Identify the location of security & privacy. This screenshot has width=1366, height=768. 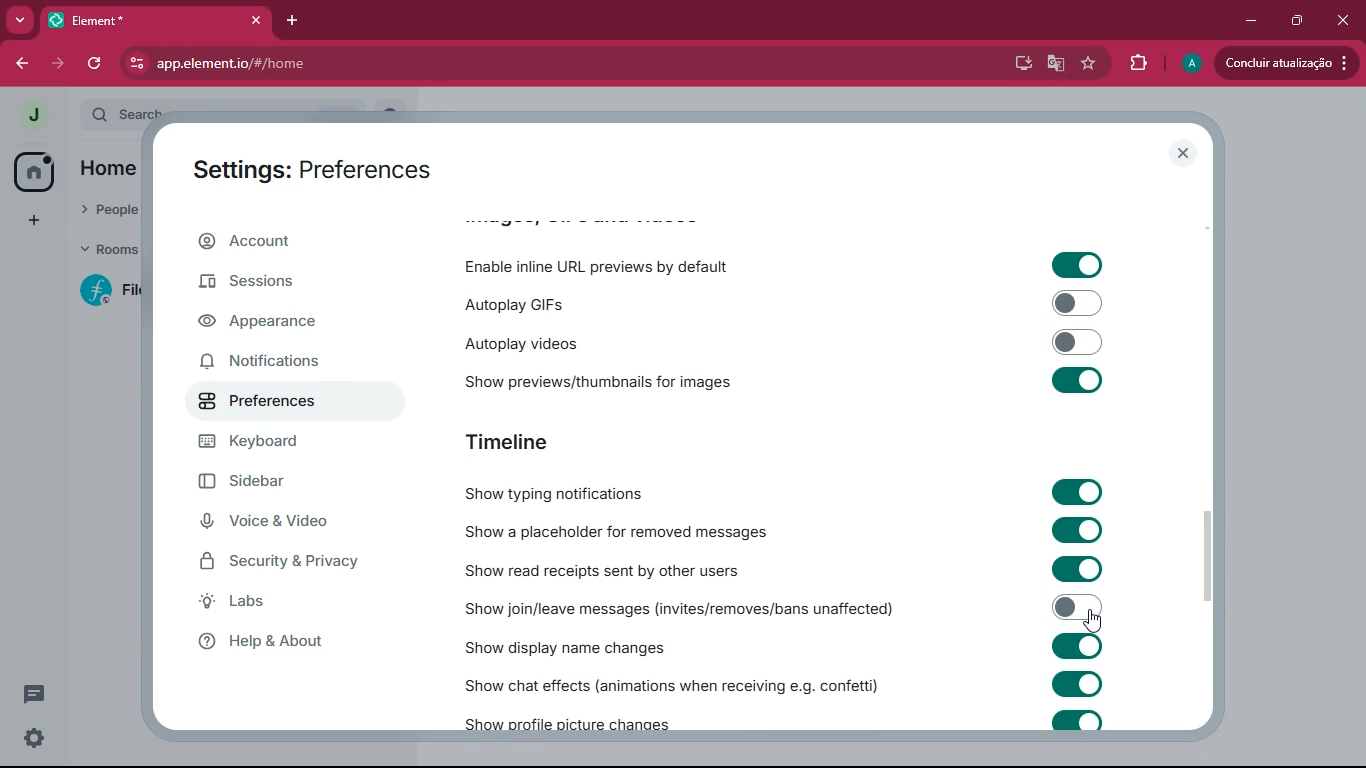
(280, 563).